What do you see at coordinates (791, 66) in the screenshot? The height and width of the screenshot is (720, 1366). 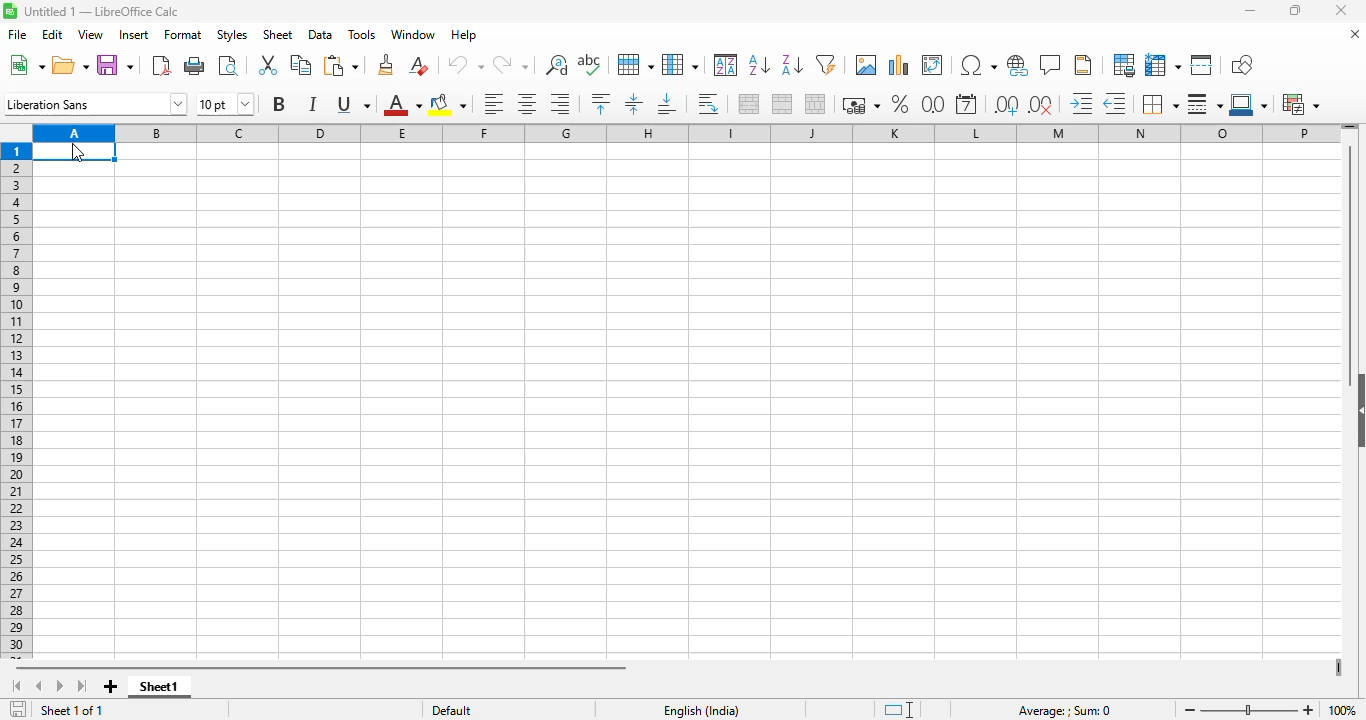 I see `sort descending` at bounding box center [791, 66].